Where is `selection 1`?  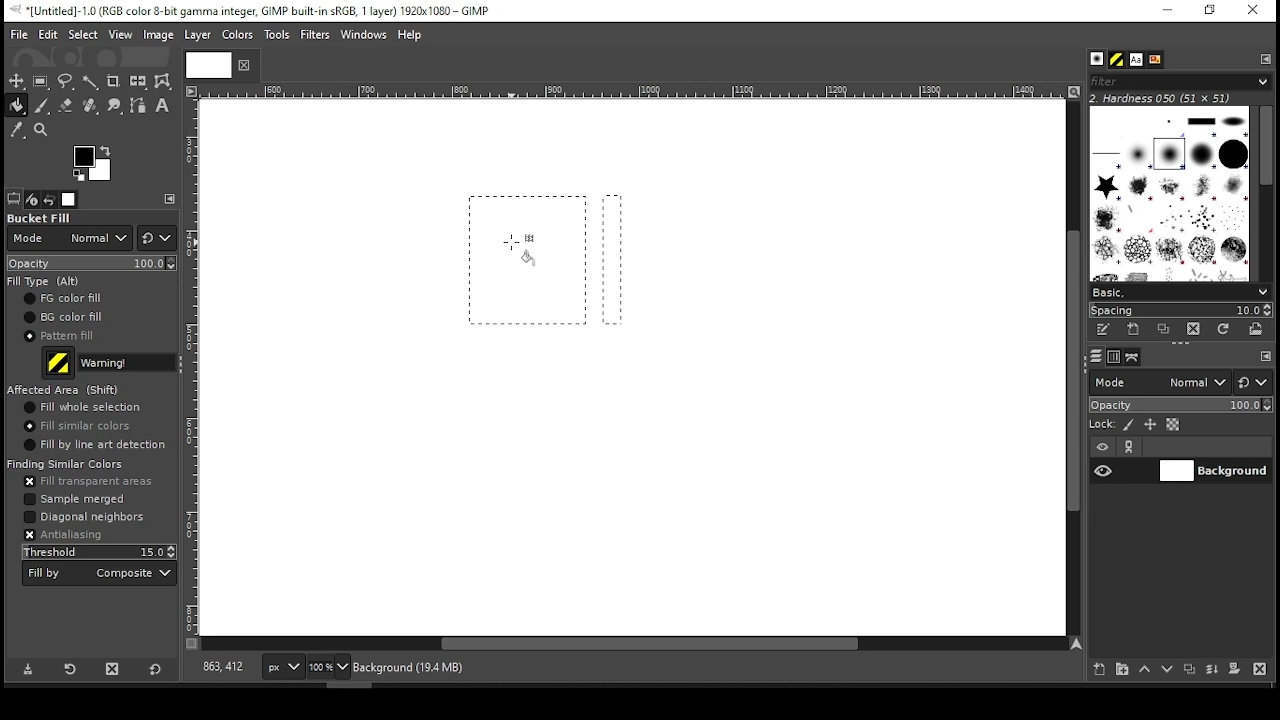
selection 1 is located at coordinates (528, 257).